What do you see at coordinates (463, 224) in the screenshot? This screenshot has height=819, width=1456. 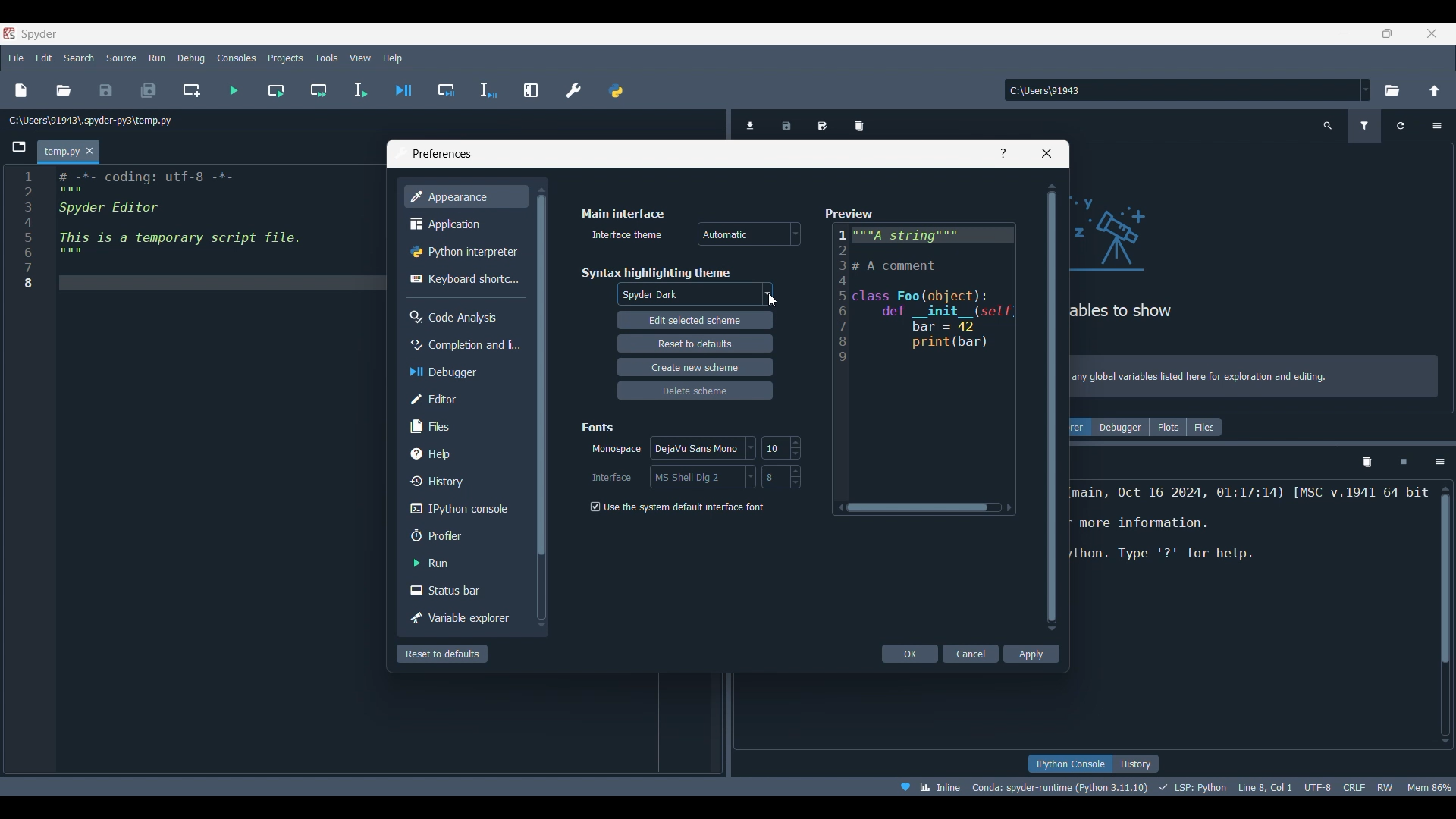 I see `Application` at bounding box center [463, 224].